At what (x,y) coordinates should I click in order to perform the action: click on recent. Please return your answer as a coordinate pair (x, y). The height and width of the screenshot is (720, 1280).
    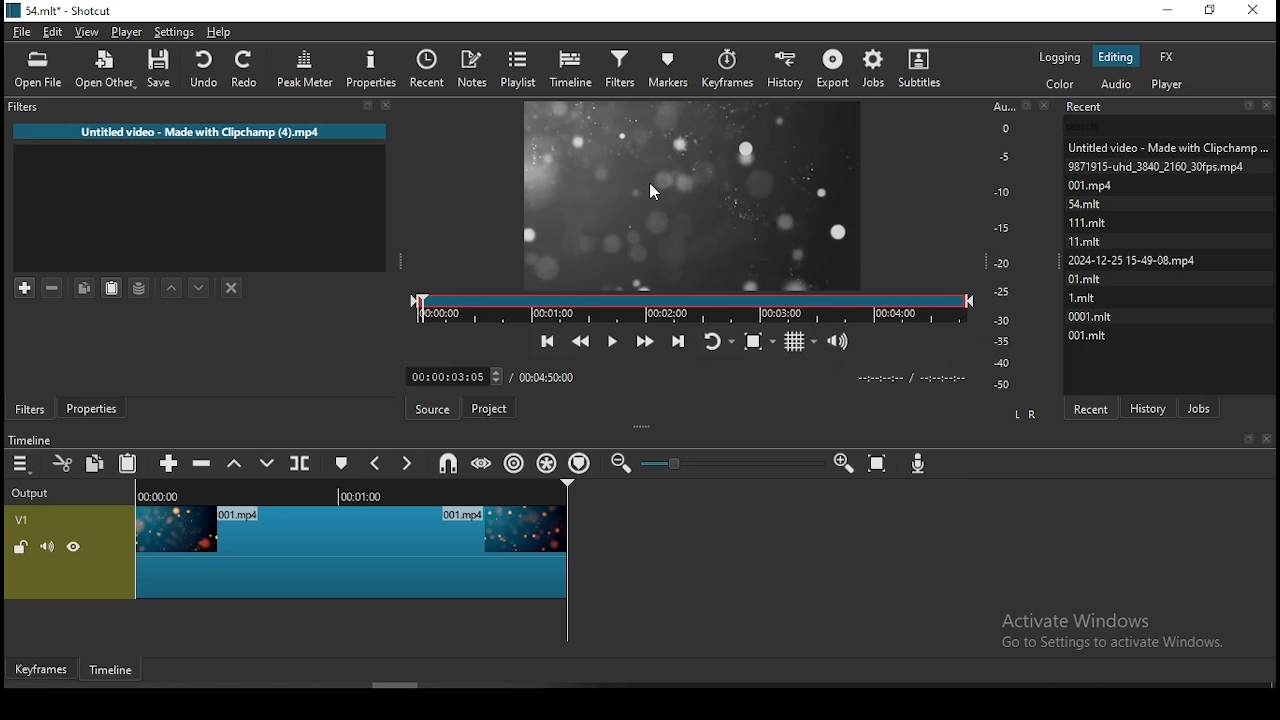
    Looking at the image, I should click on (431, 68).